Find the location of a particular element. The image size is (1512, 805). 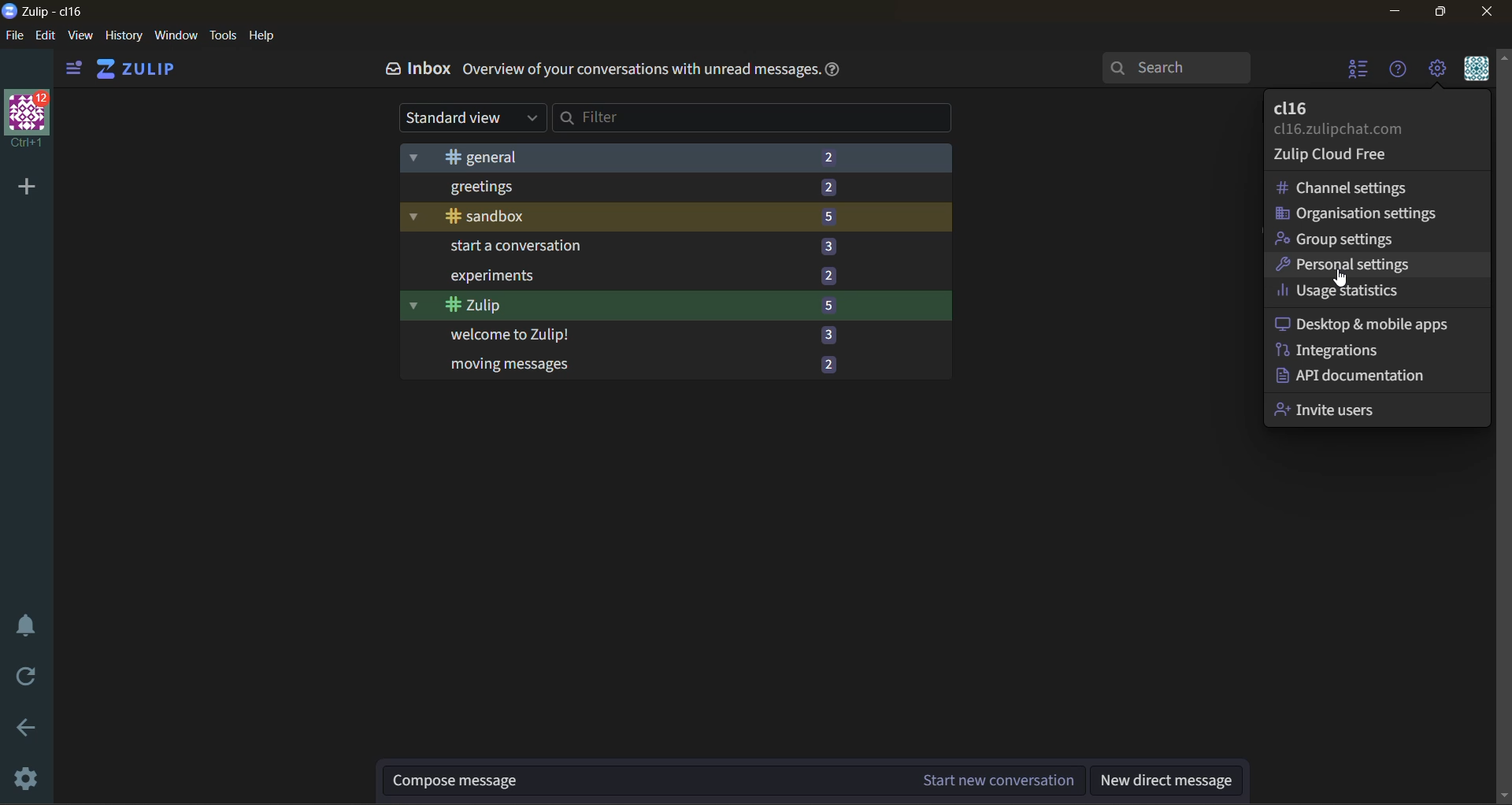

filter is located at coordinates (754, 120).